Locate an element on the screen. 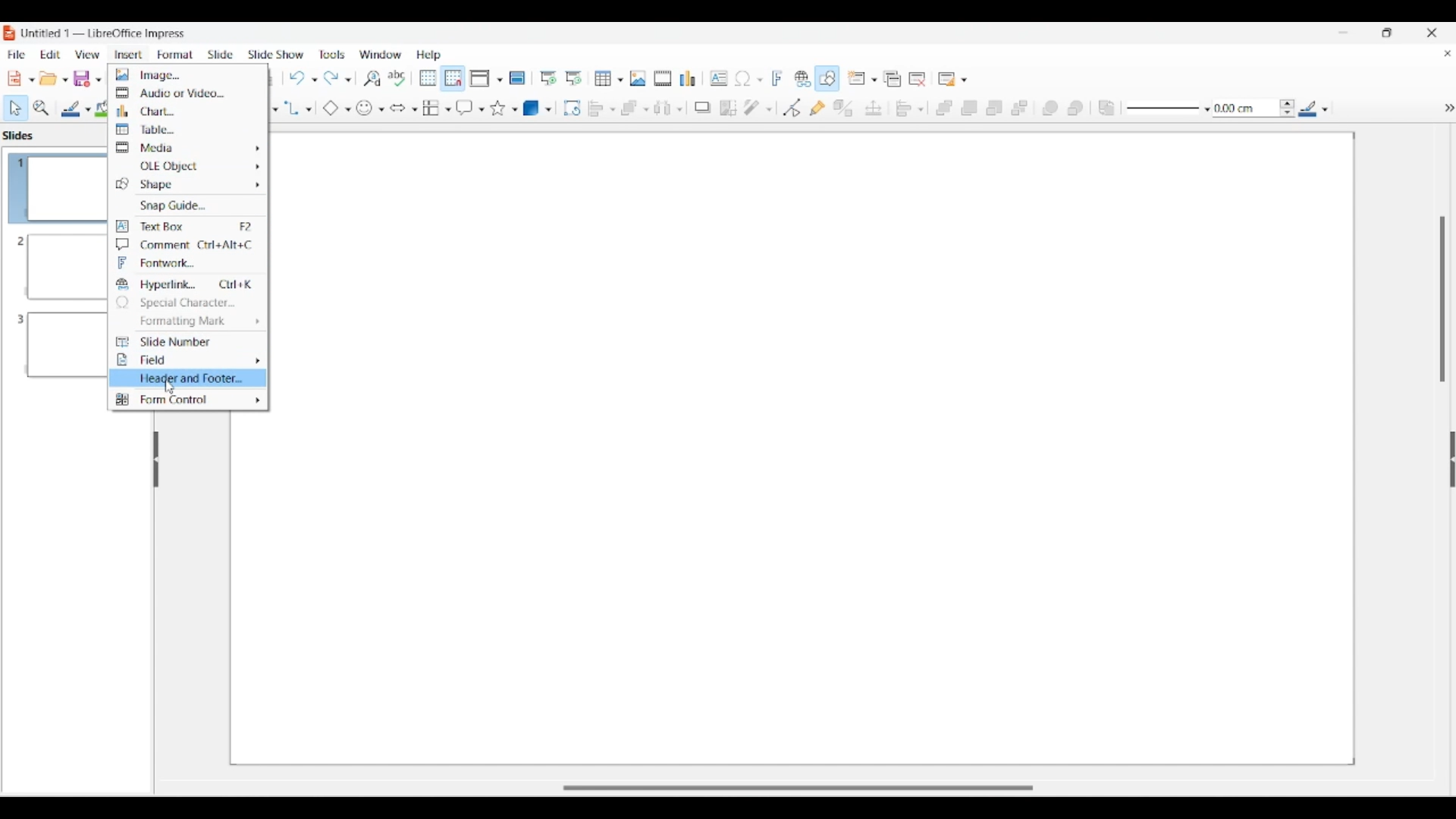  Software and project name is located at coordinates (105, 34).